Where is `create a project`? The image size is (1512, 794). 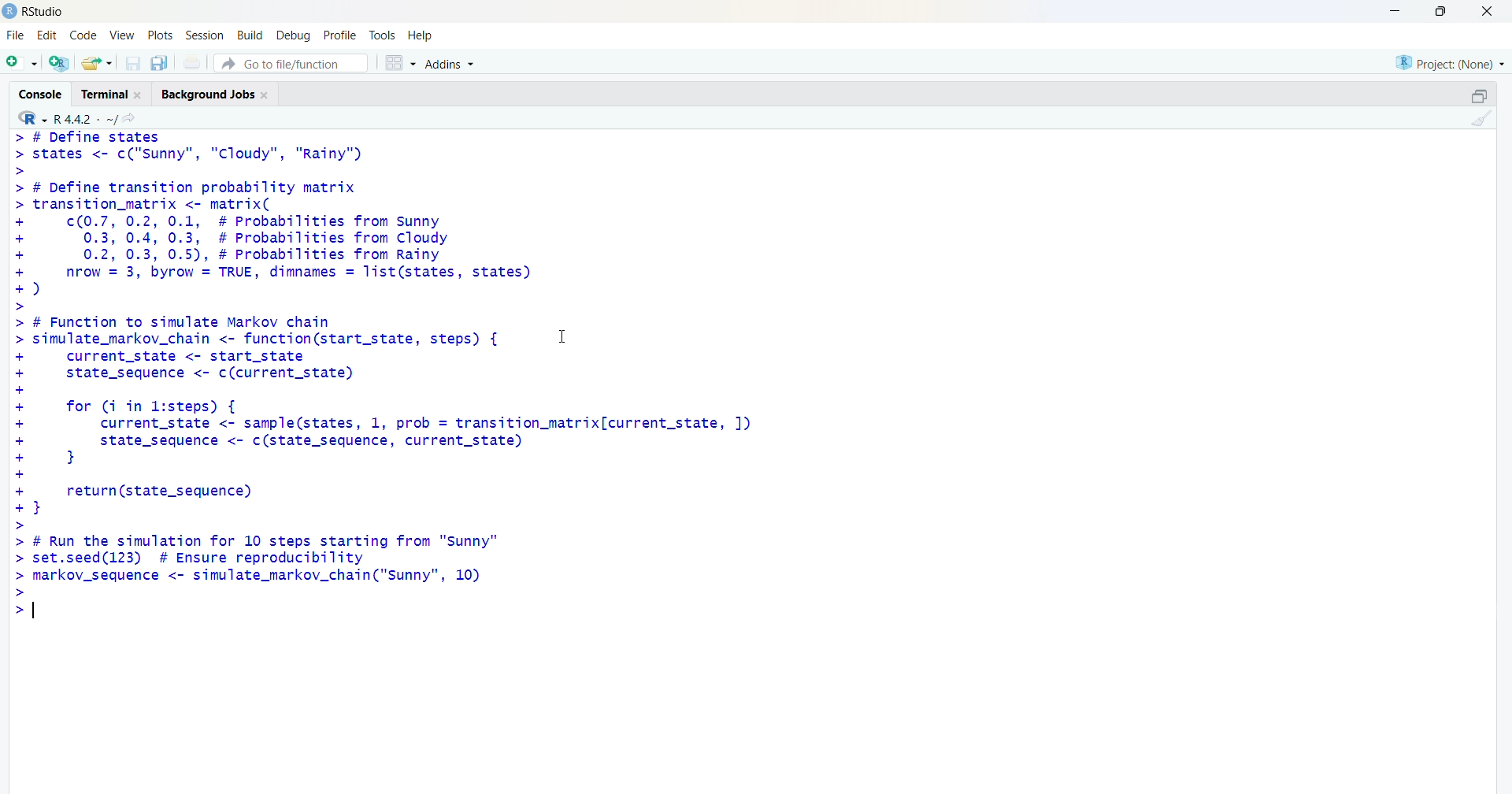 create a project is located at coordinates (57, 64).